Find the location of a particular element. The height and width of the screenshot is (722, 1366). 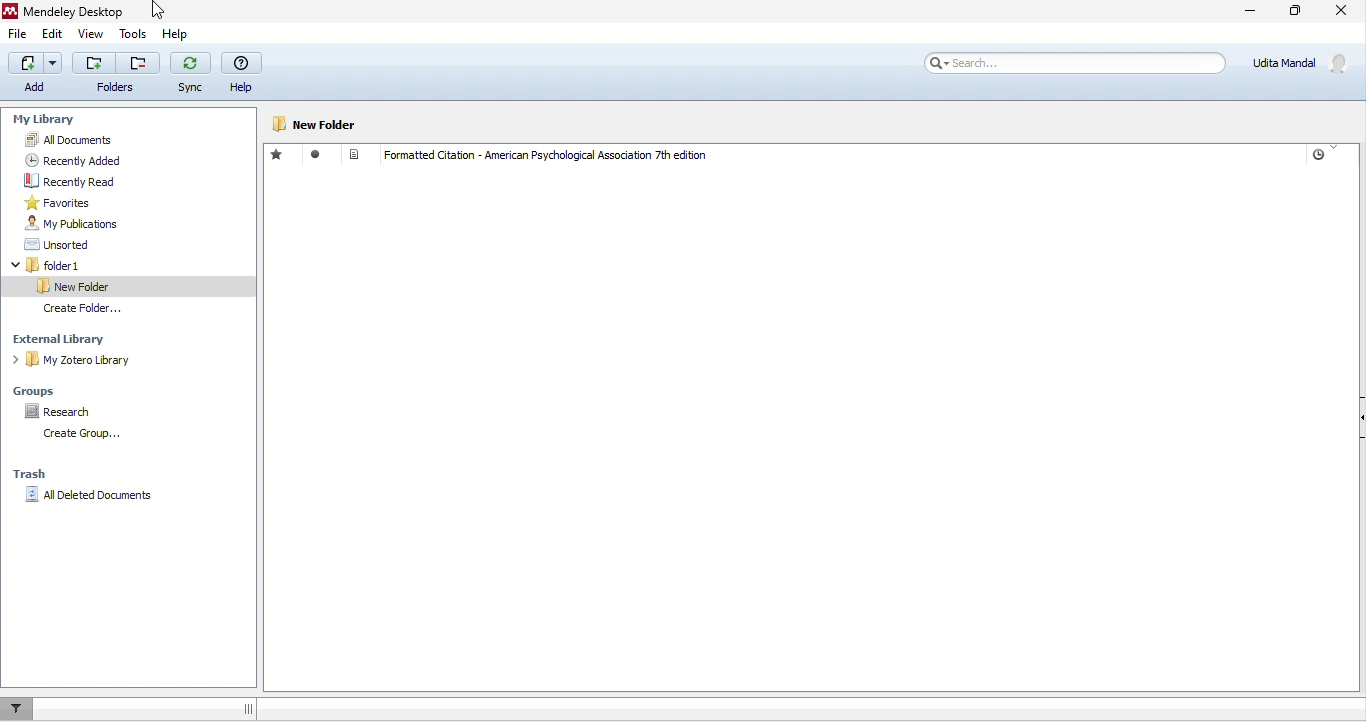

search is located at coordinates (1072, 63).